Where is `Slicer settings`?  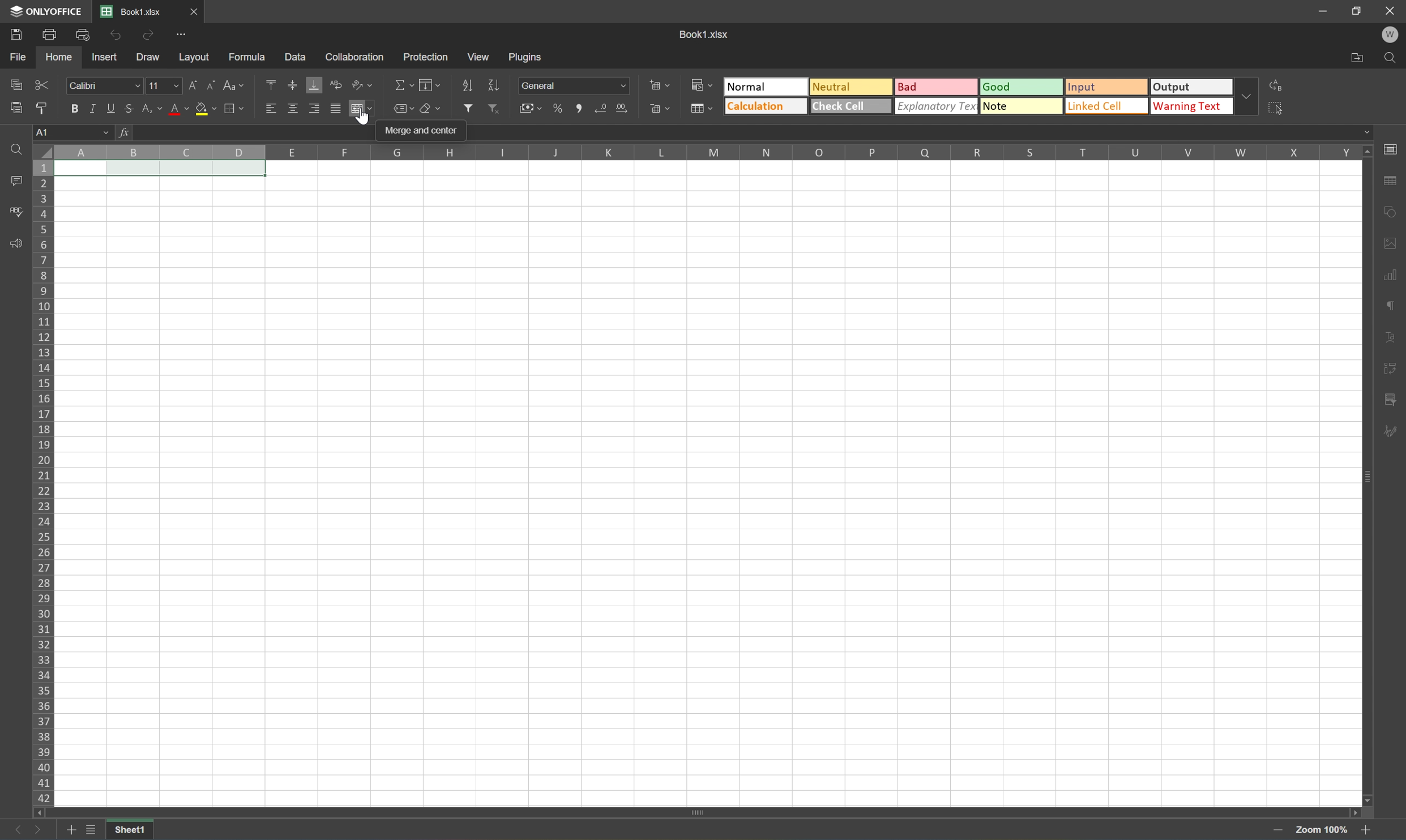 Slicer settings is located at coordinates (1390, 370).